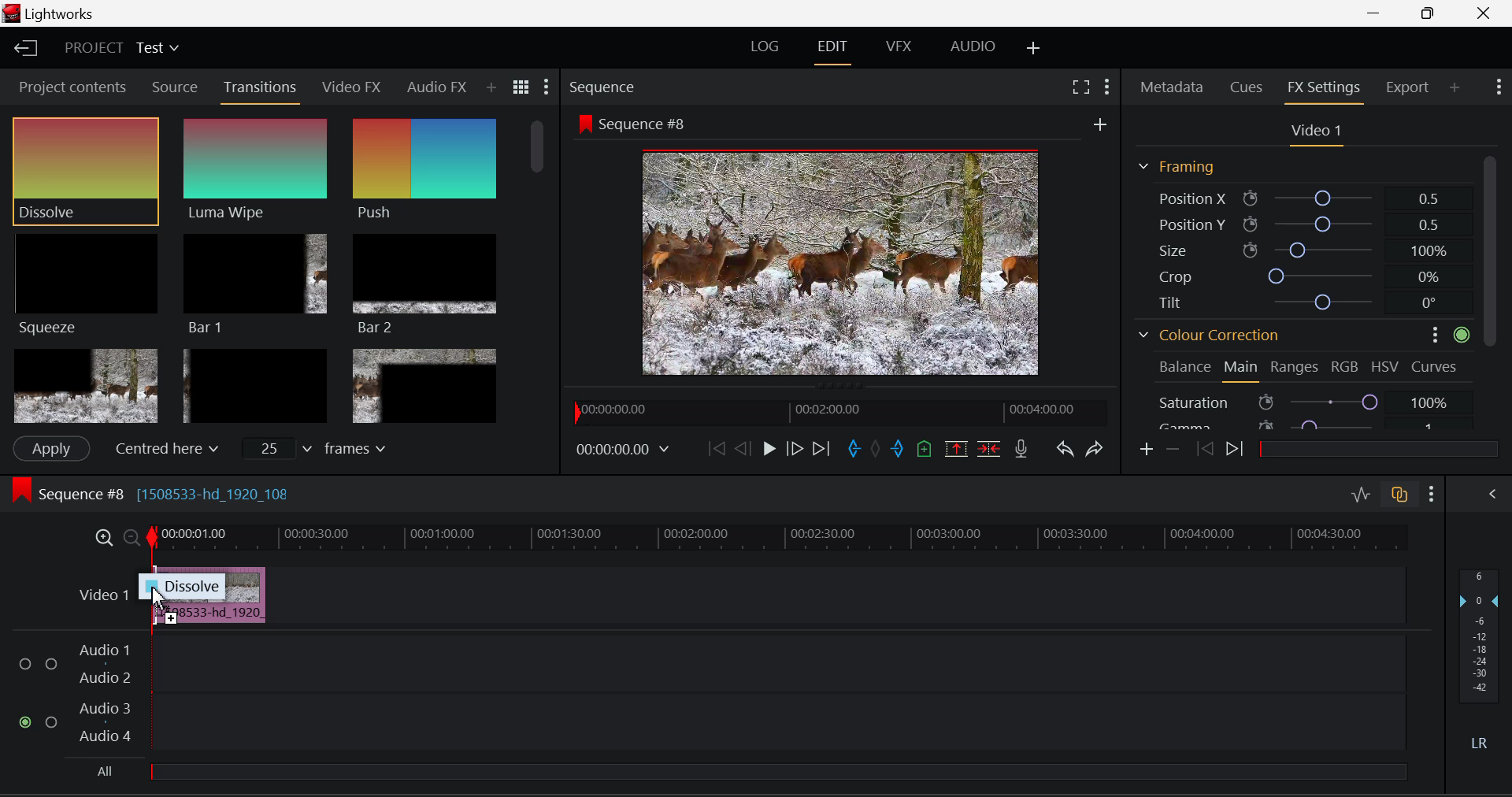  What do you see at coordinates (104, 651) in the screenshot?
I see `Audio 1` at bounding box center [104, 651].